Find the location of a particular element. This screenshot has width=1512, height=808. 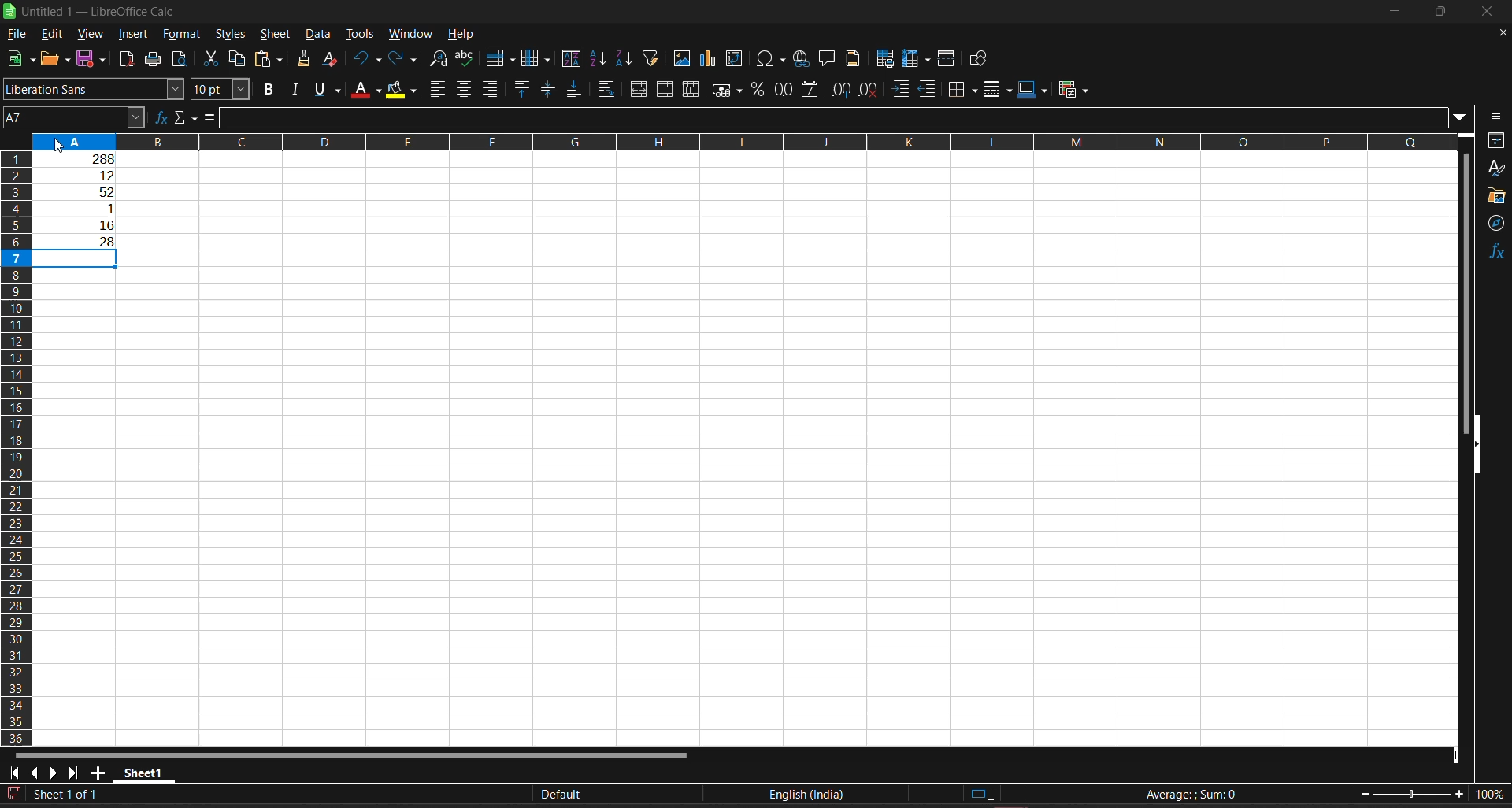

cursor is located at coordinates (60, 147).